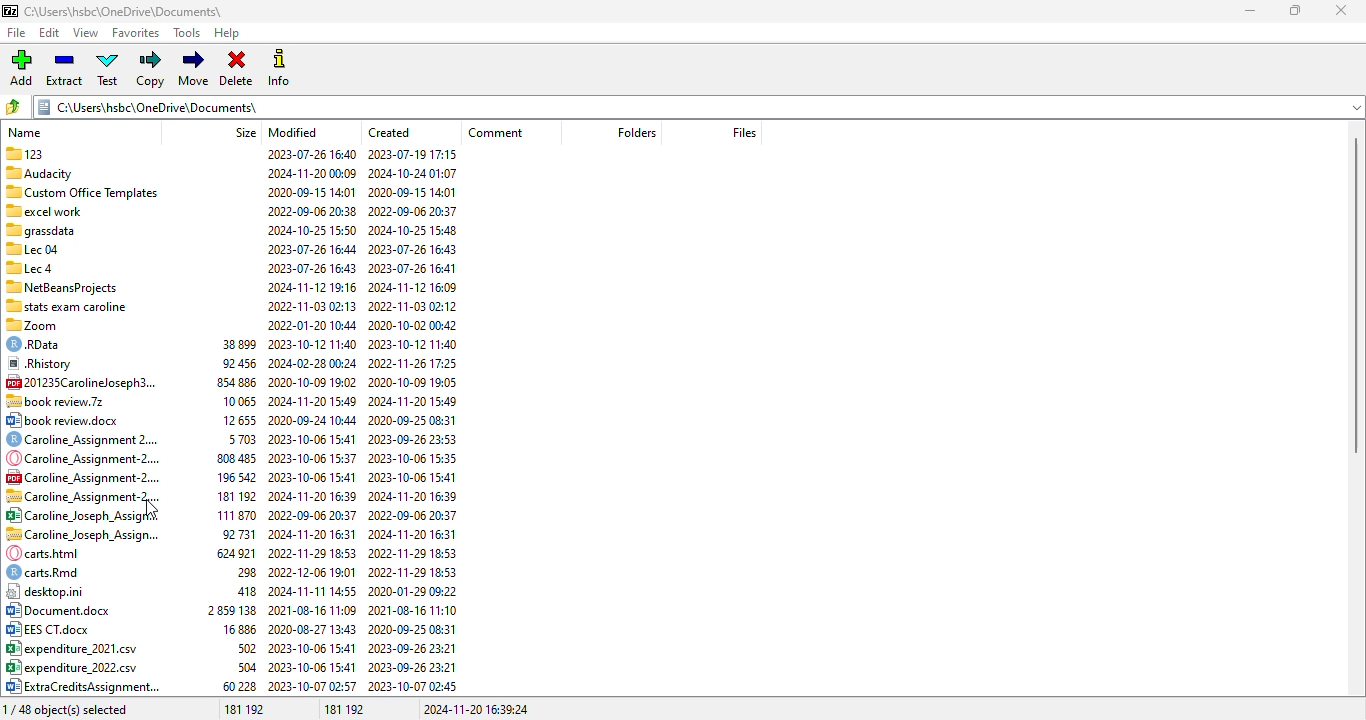 The width and height of the screenshot is (1366, 720). I want to click on  Caroline Assignment-2.... 181192 2024-11-20 16:39 2024-11-20 16:39, so click(231, 495).